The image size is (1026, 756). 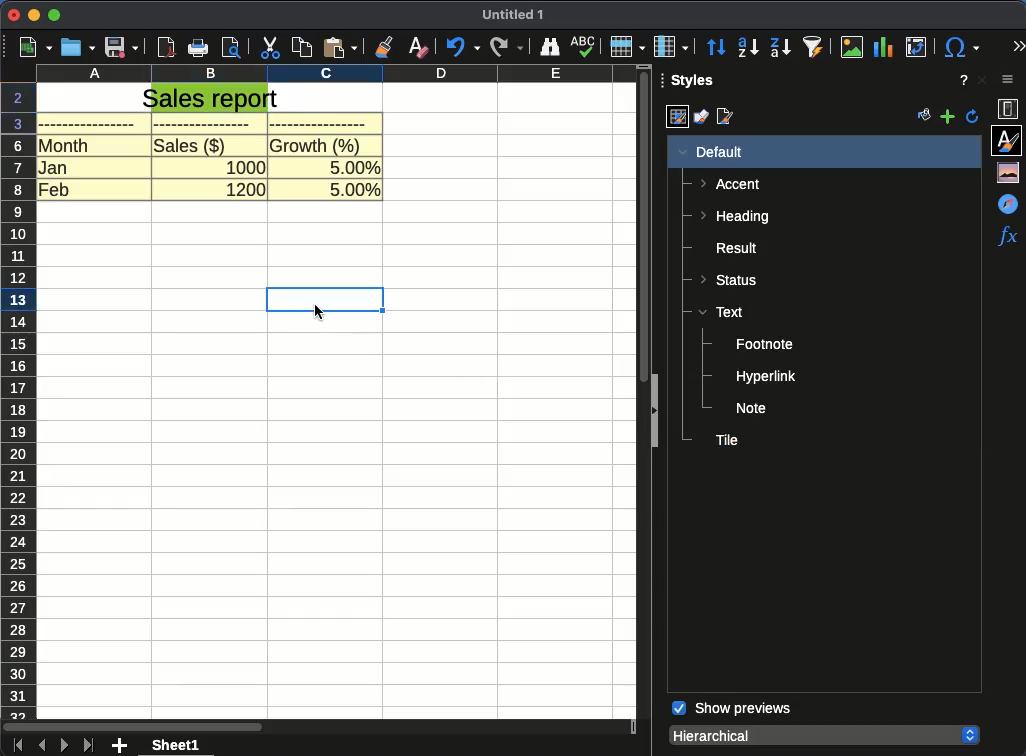 I want to click on blank, so click(x=88, y=124).